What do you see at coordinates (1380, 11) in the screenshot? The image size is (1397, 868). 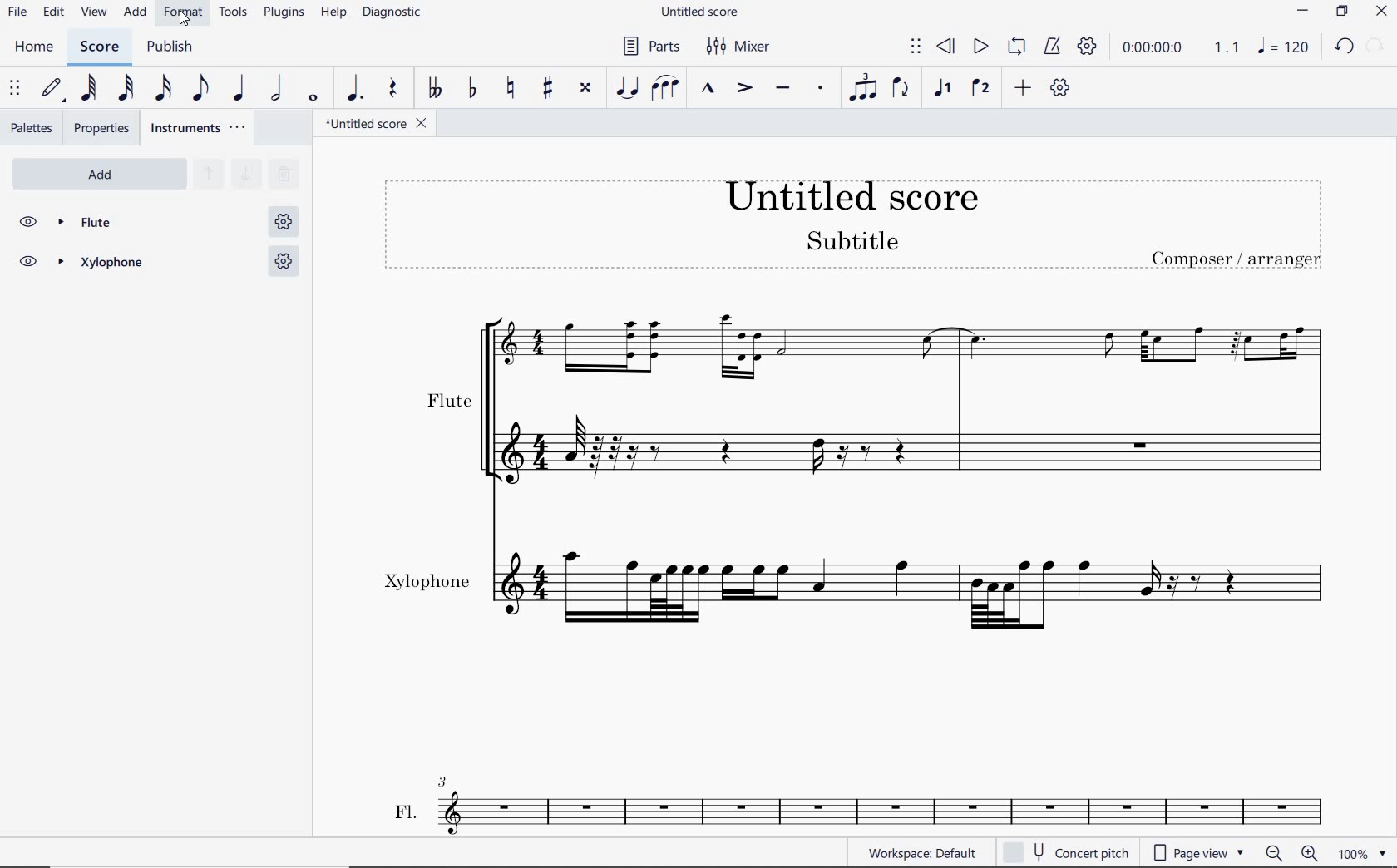 I see `CLOSE` at bounding box center [1380, 11].